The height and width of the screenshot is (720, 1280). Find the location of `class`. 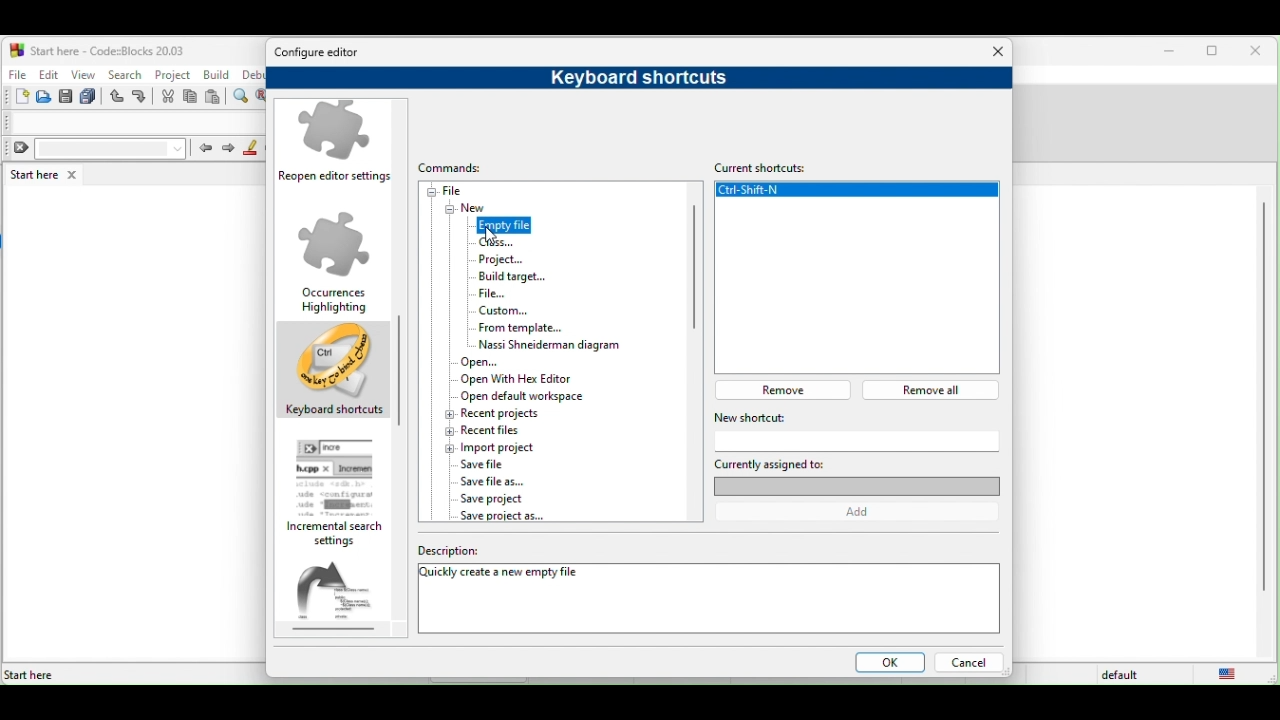

class is located at coordinates (497, 242).